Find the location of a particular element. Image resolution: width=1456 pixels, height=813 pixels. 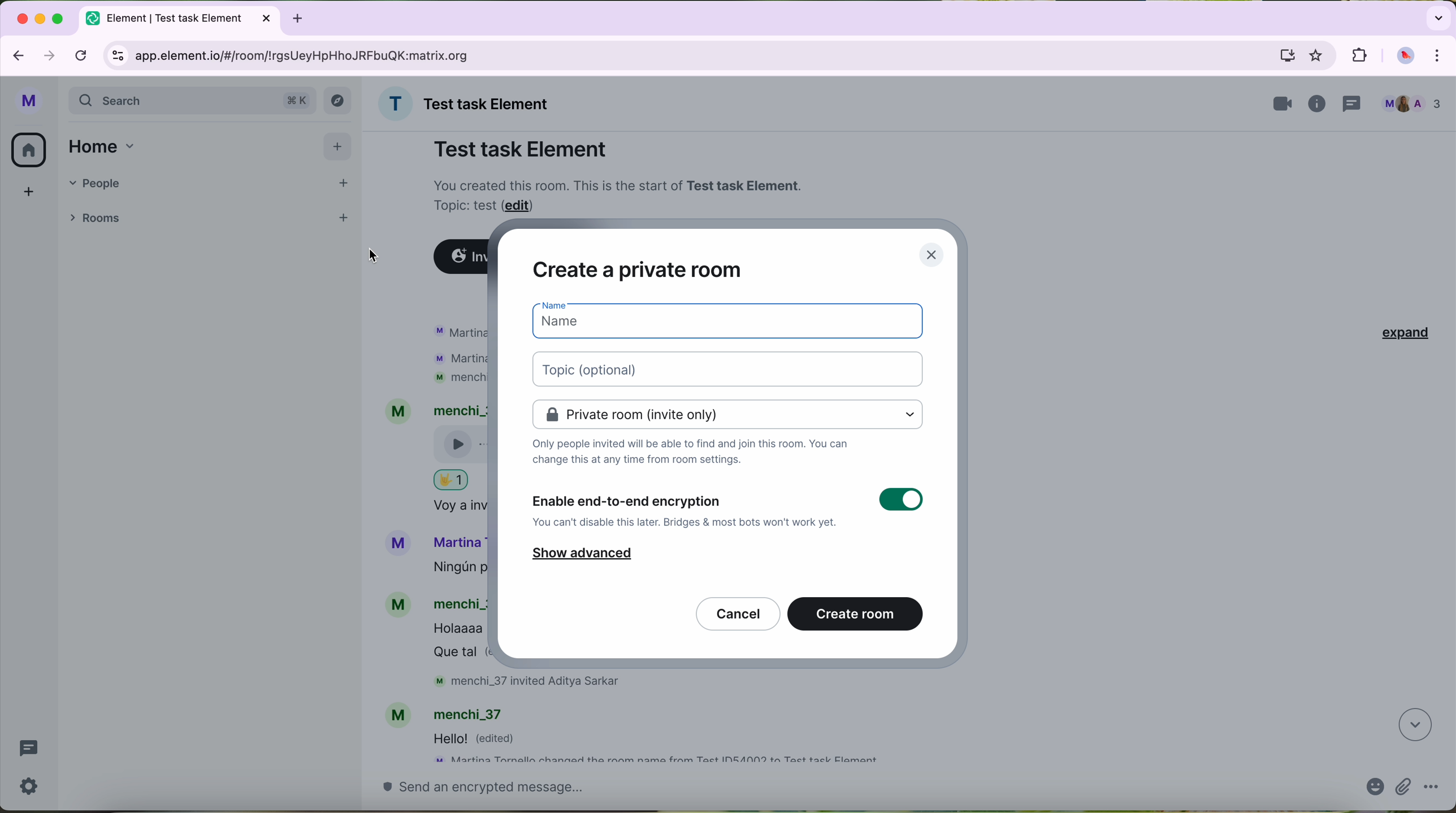

name is located at coordinates (469, 103).